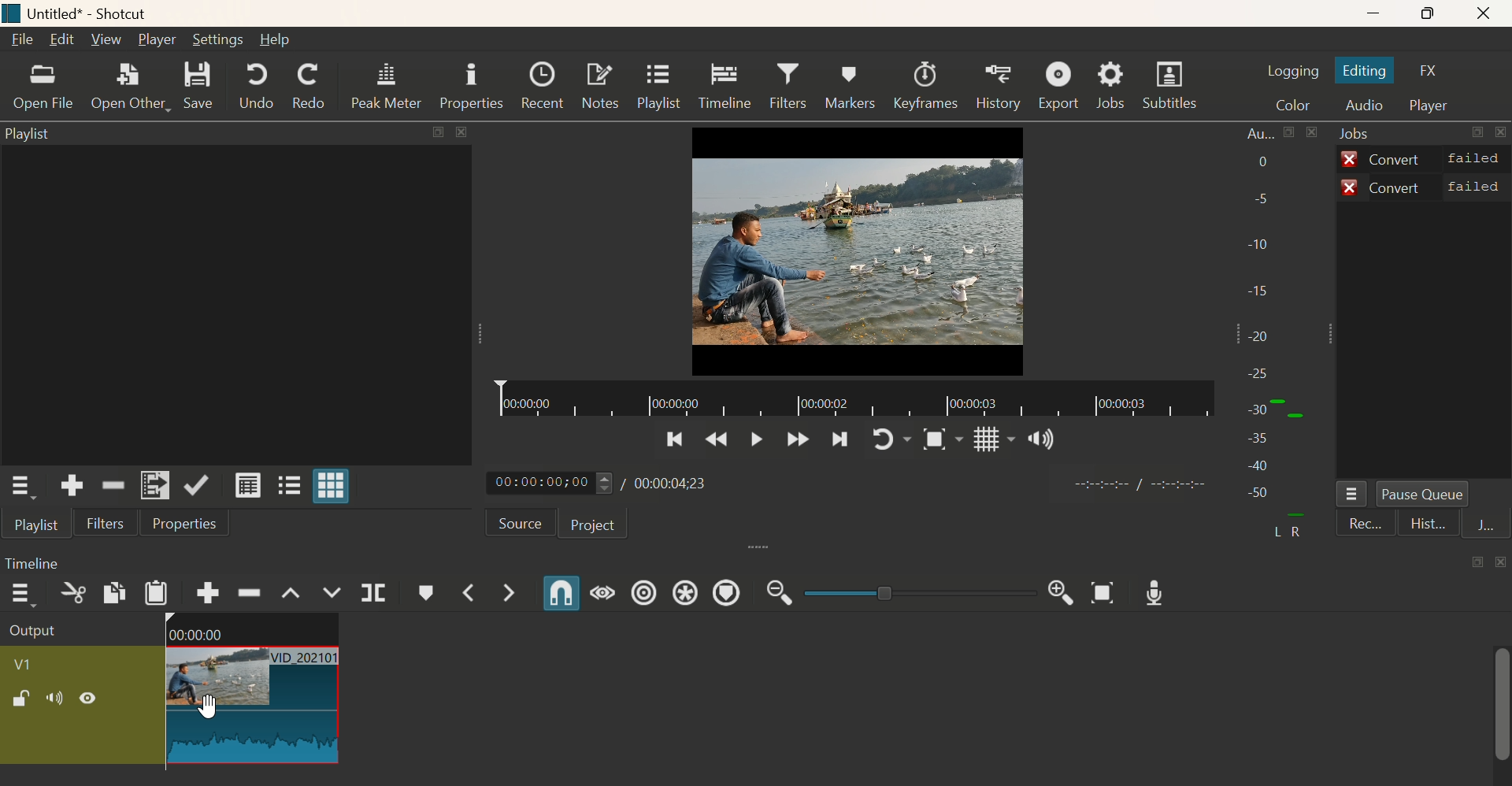 Image resolution: width=1512 pixels, height=786 pixels. Describe the element at coordinates (717, 443) in the screenshot. I see `Previous` at that location.